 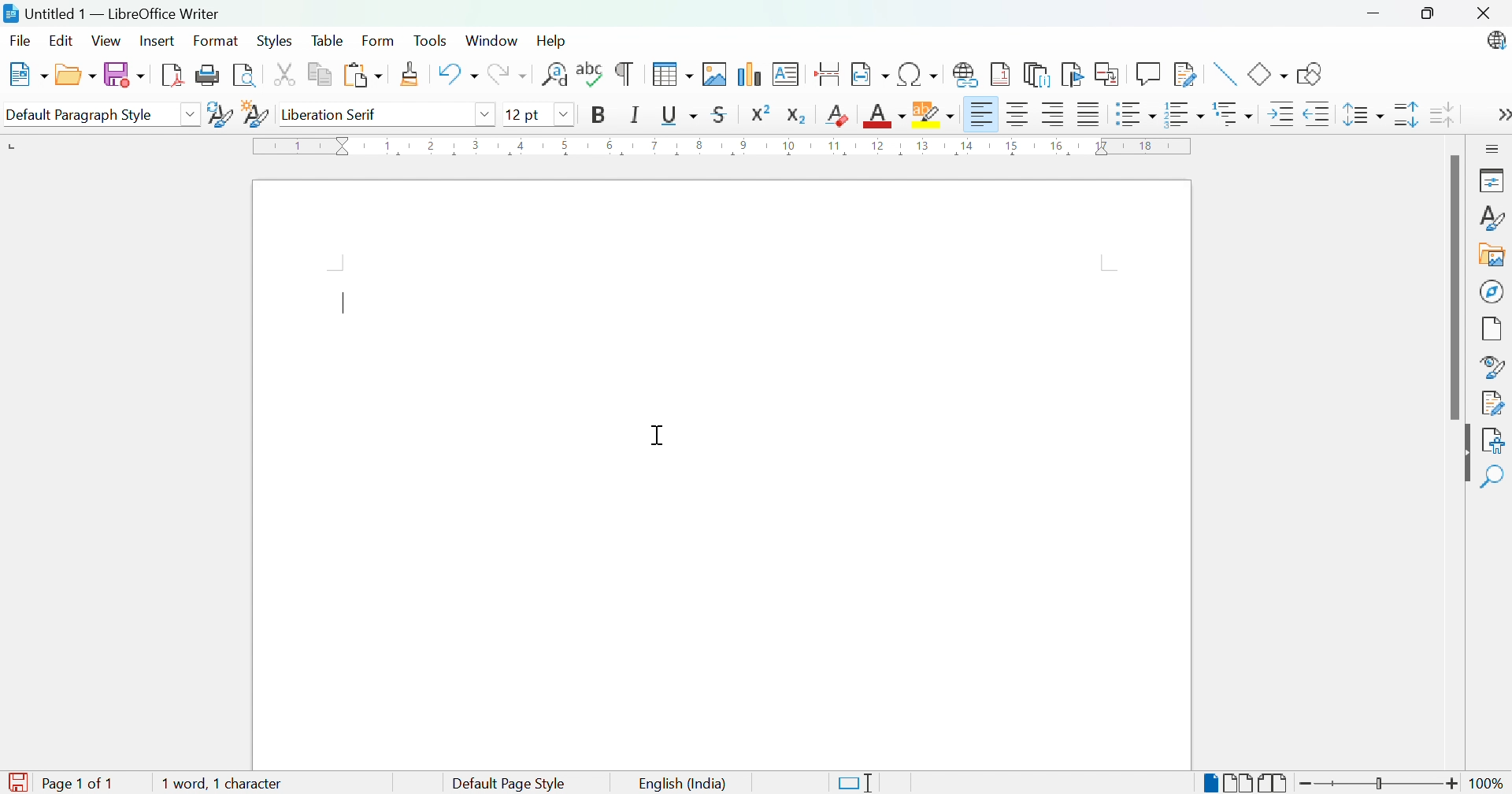 What do you see at coordinates (110, 13) in the screenshot?
I see `Untitled 1 - LibreOffice Writer` at bounding box center [110, 13].